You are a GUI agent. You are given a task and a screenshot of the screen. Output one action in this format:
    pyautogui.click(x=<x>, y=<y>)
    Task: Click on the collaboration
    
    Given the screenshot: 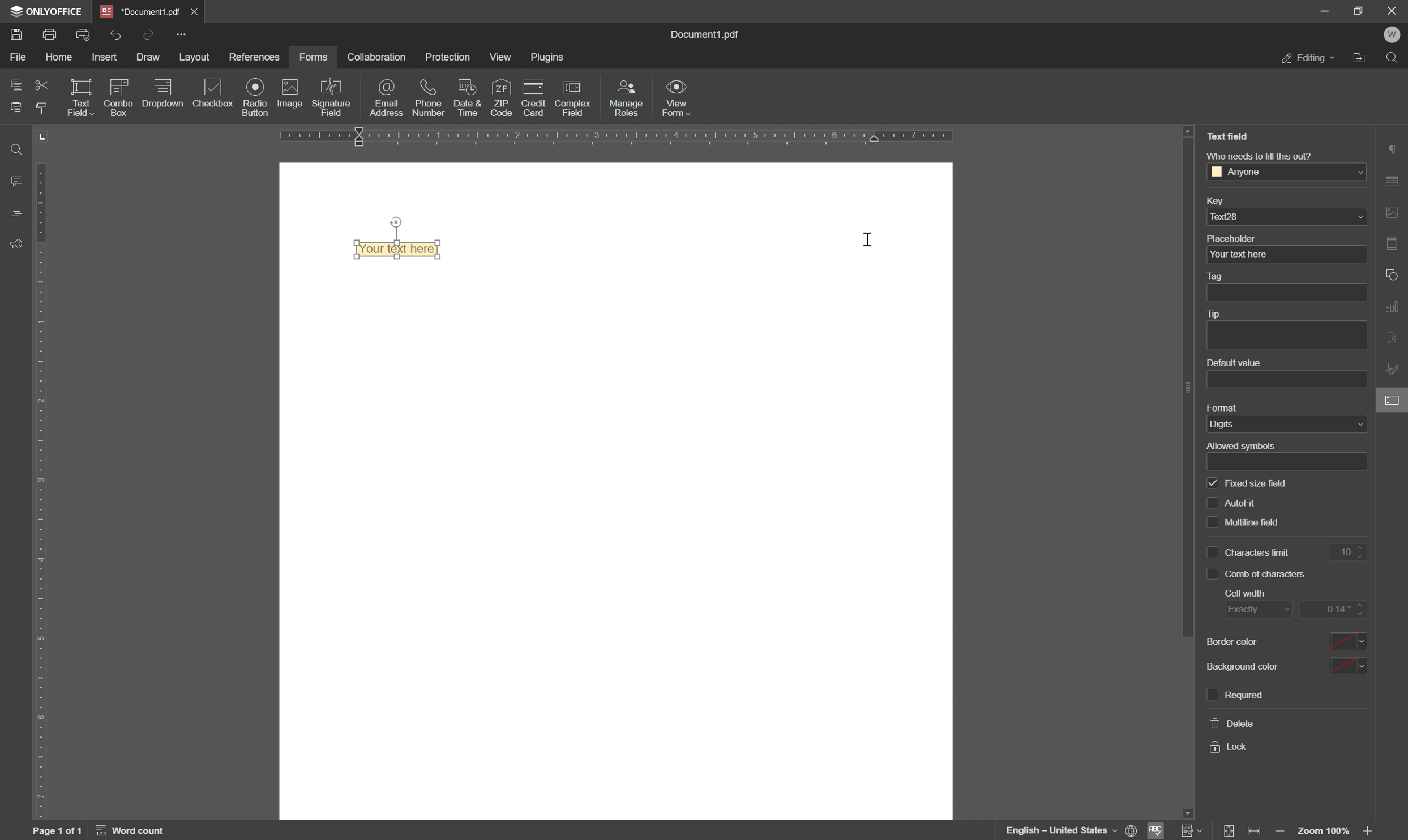 What is the action you would take?
    pyautogui.click(x=381, y=55)
    